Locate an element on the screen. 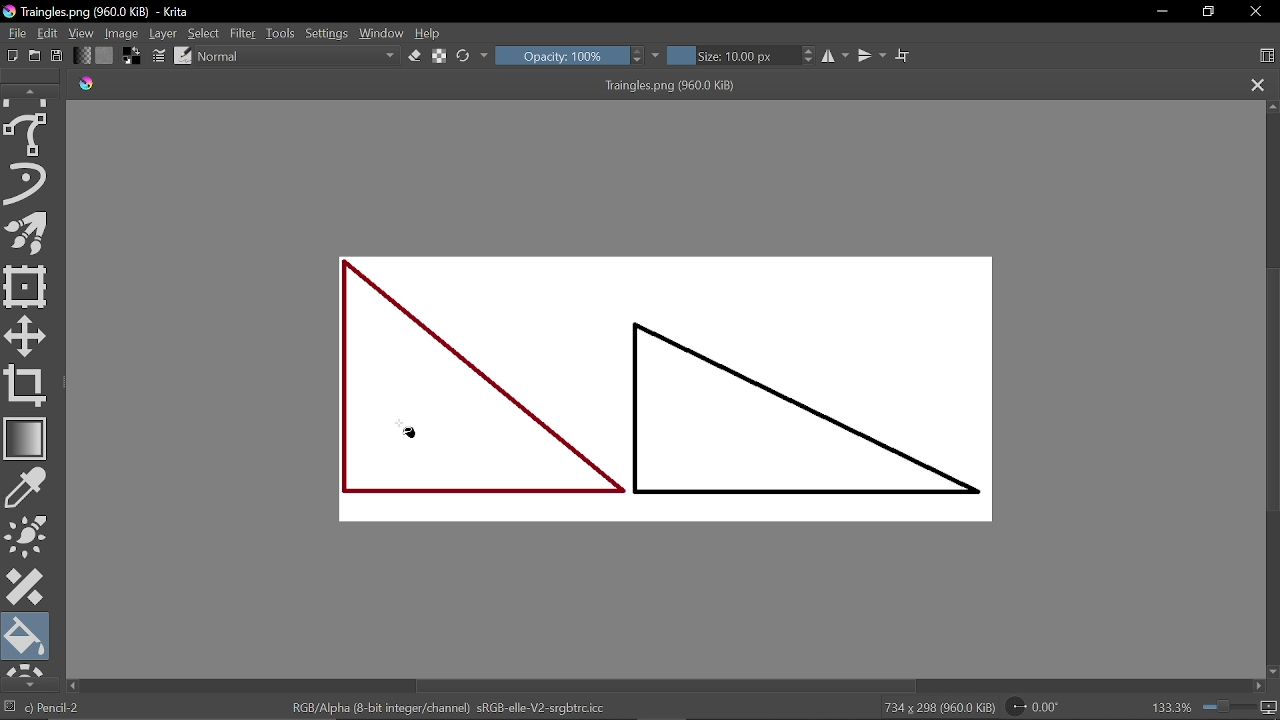  133.3% is located at coordinates (1170, 709).